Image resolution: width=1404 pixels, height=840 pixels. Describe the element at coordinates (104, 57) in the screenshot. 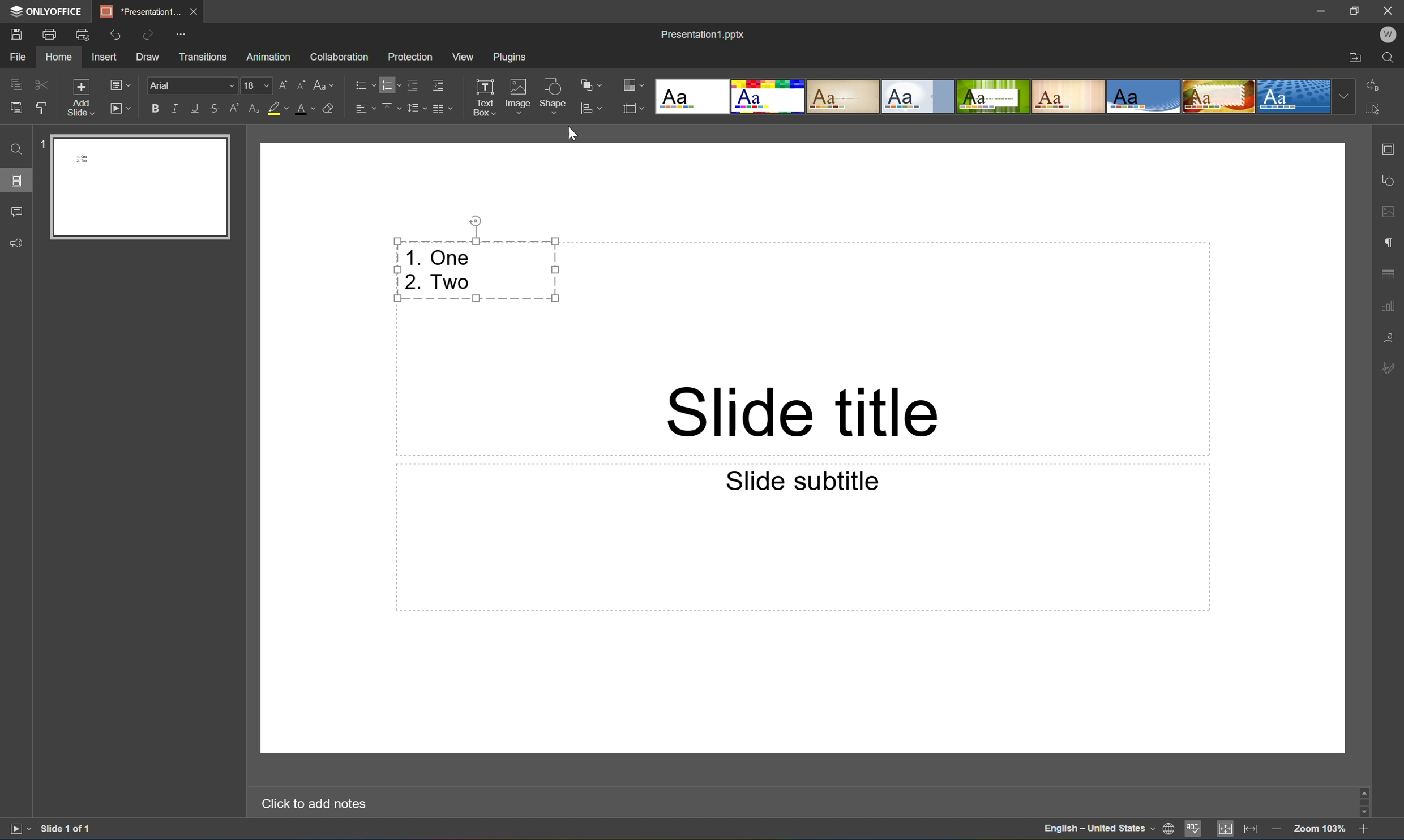

I see `Insert` at that location.